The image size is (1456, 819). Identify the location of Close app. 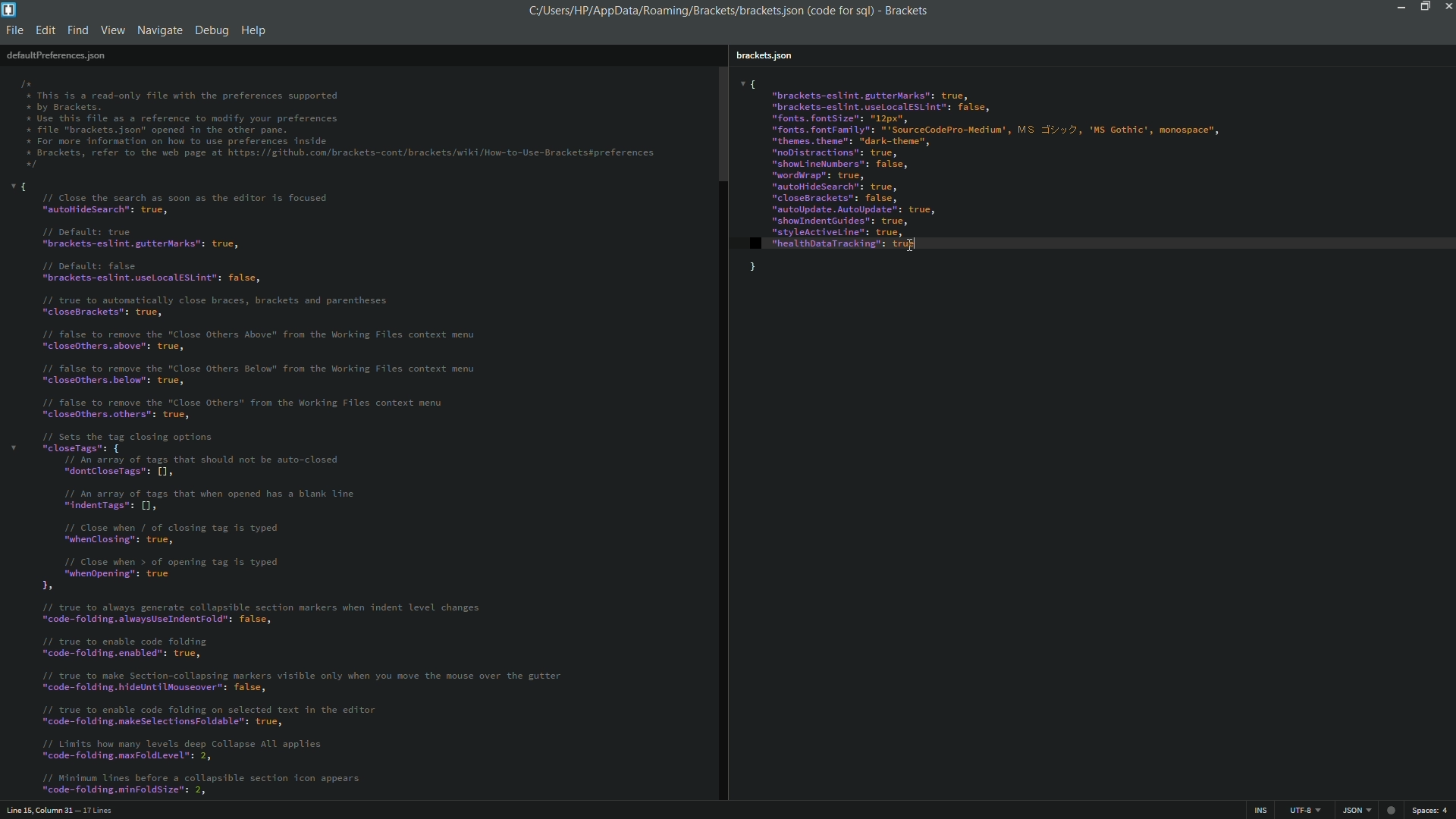
(1447, 6).